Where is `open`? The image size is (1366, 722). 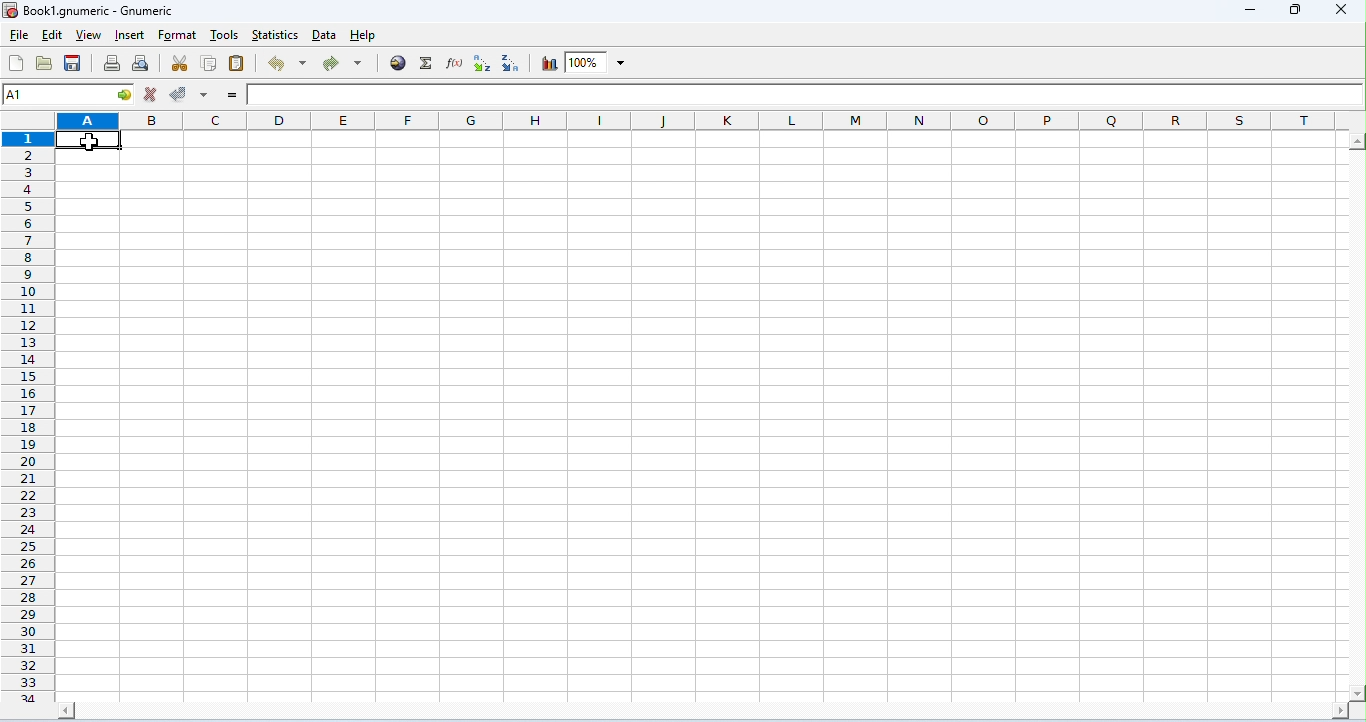
open is located at coordinates (44, 63).